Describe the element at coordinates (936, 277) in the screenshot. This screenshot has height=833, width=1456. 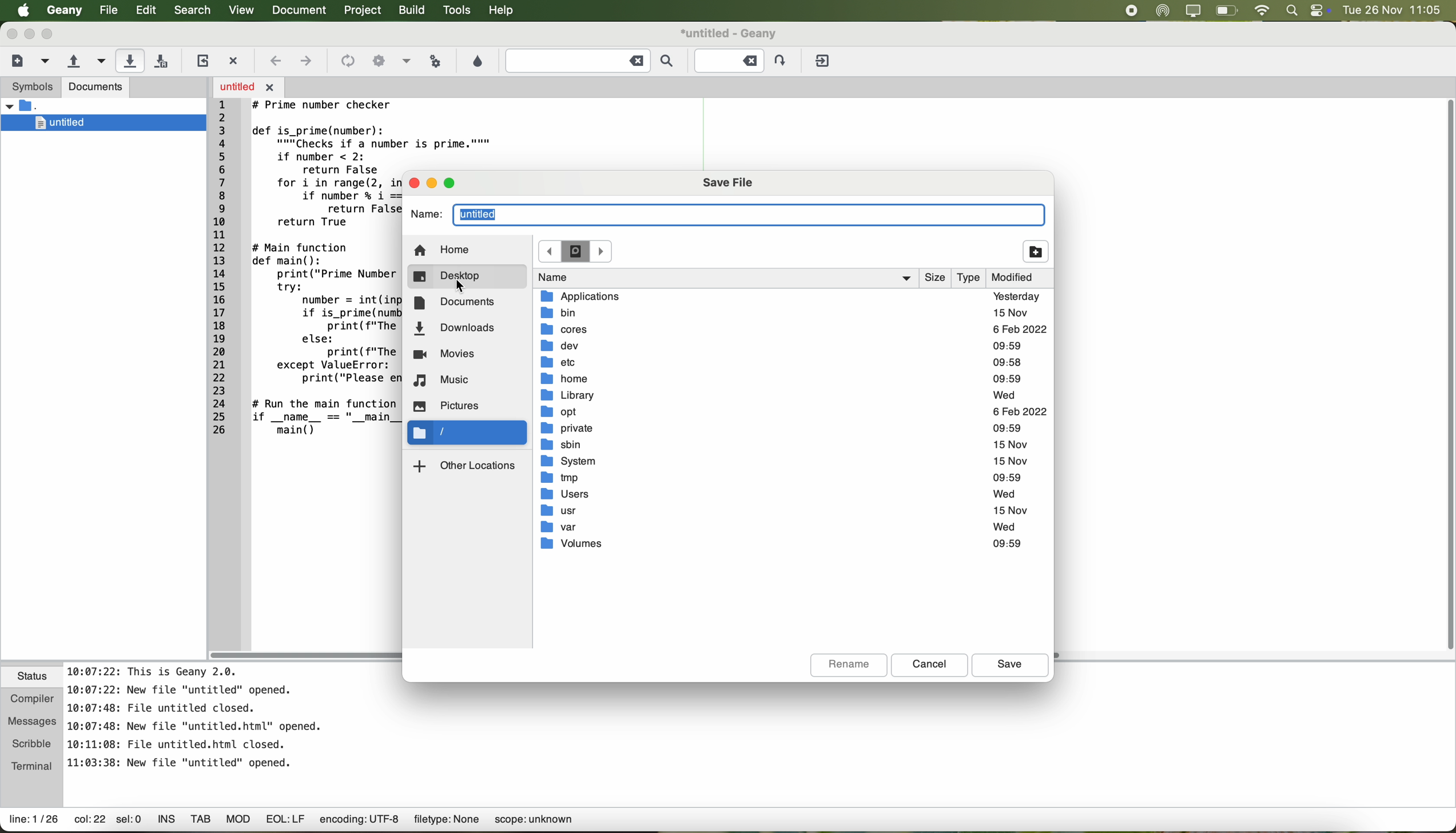
I see `size` at that location.